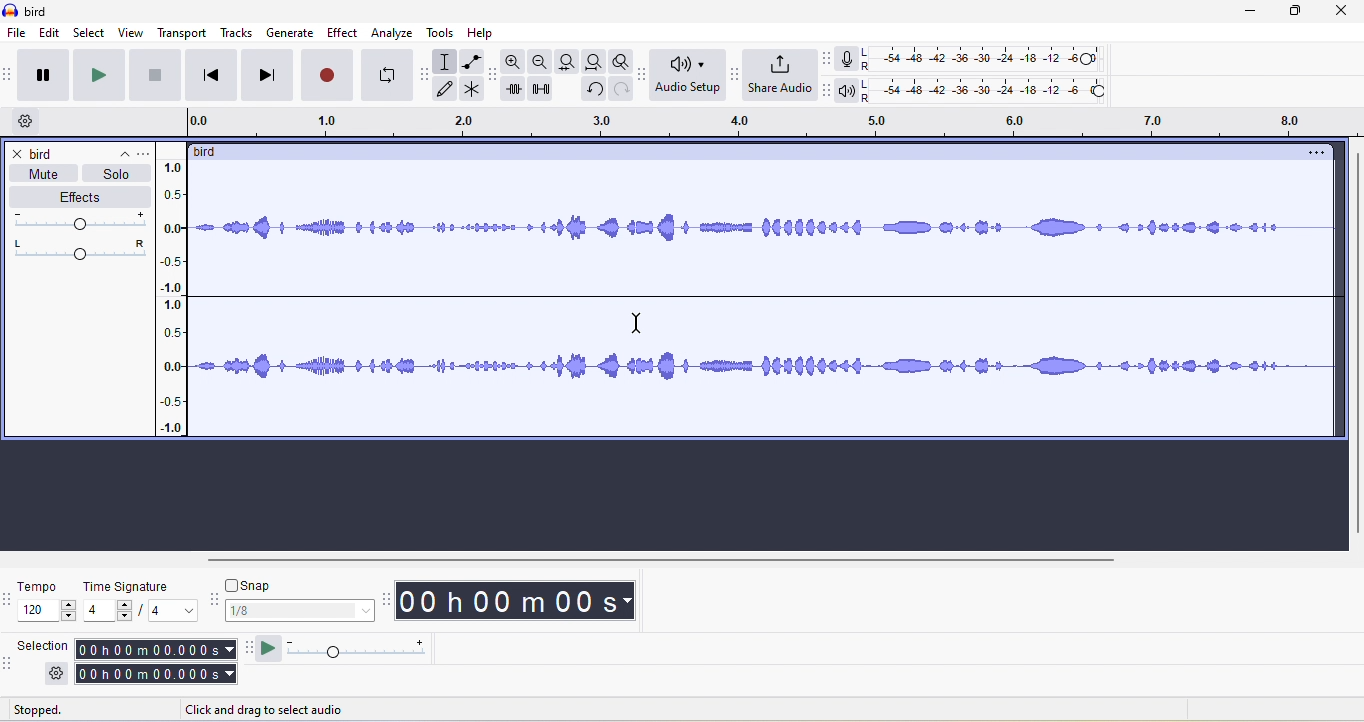 Image resolution: width=1364 pixels, height=722 pixels. What do you see at coordinates (766, 303) in the screenshot?
I see `record audio` at bounding box center [766, 303].